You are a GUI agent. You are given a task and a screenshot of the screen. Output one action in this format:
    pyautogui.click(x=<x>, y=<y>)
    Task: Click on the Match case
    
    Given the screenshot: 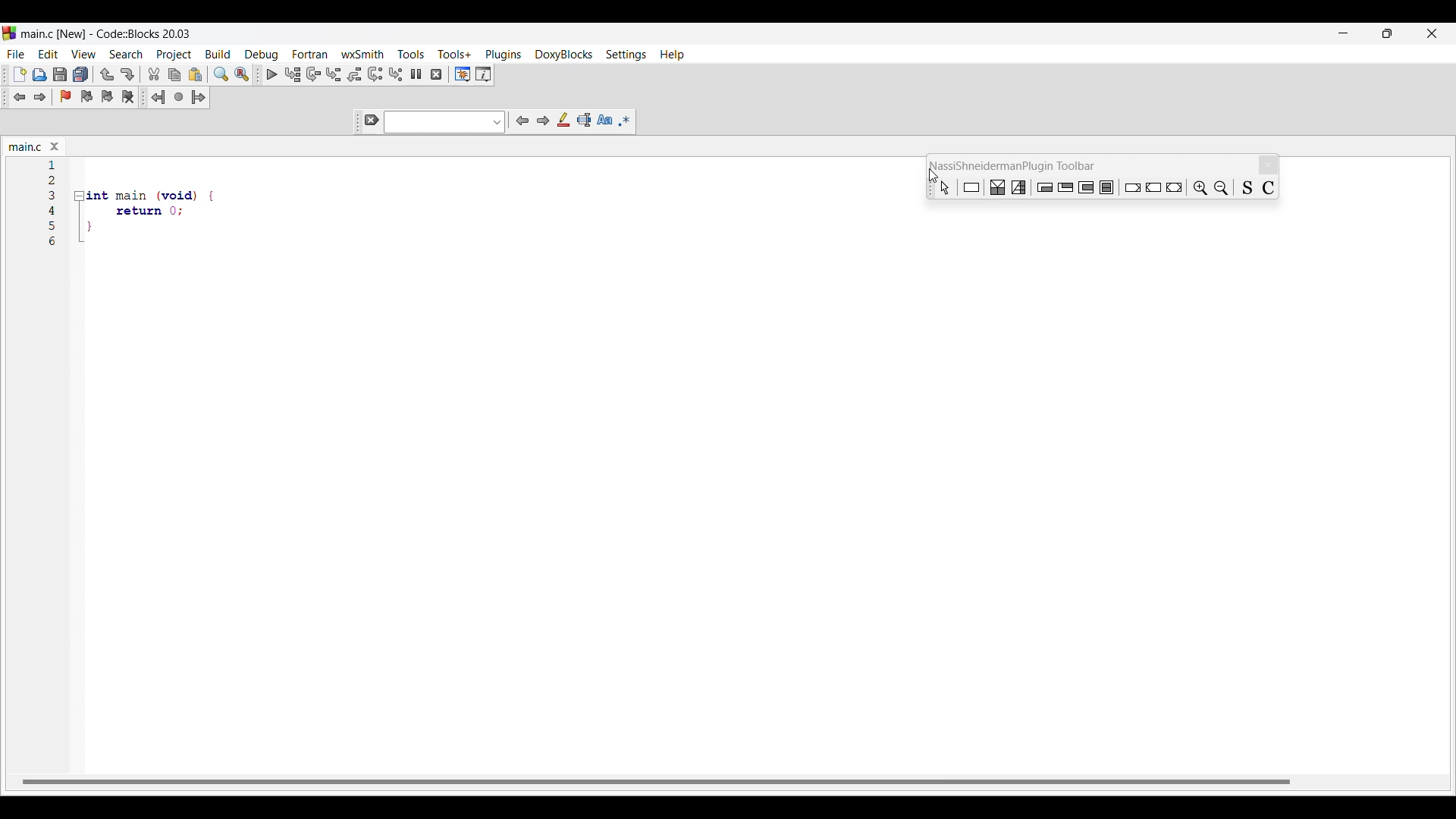 What is the action you would take?
    pyautogui.click(x=604, y=119)
    